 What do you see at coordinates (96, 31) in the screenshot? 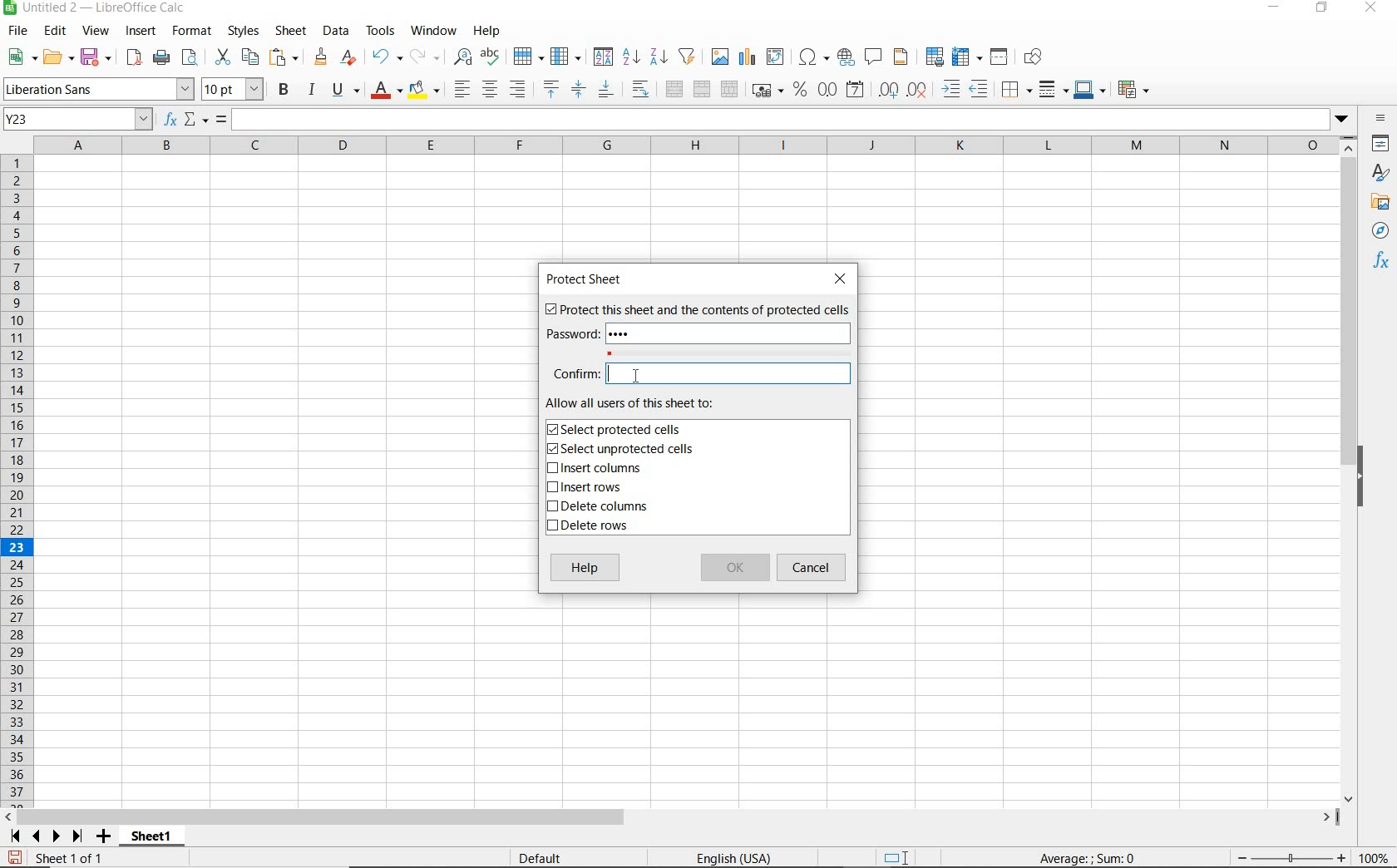
I see `VIEW` at bounding box center [96, 31].